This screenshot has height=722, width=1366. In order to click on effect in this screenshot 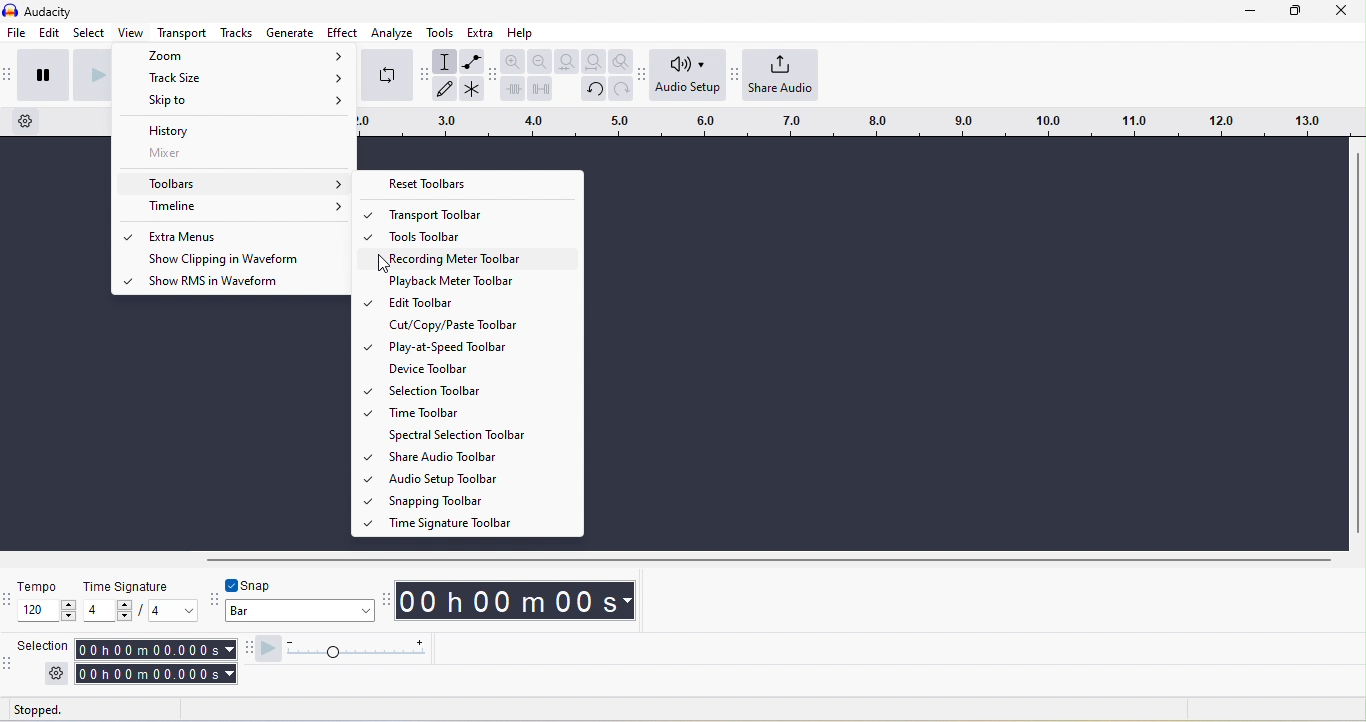, I will do `click(342, 32)`.